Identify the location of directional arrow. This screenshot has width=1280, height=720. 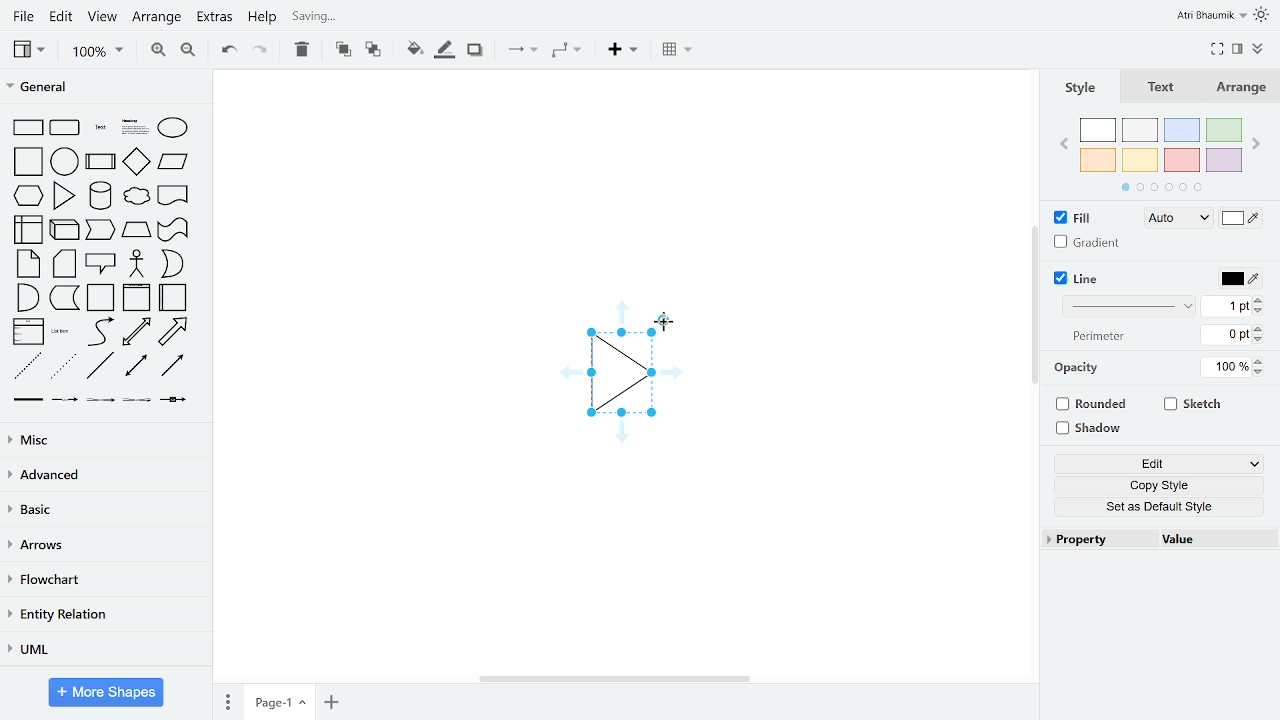
(173, 367).